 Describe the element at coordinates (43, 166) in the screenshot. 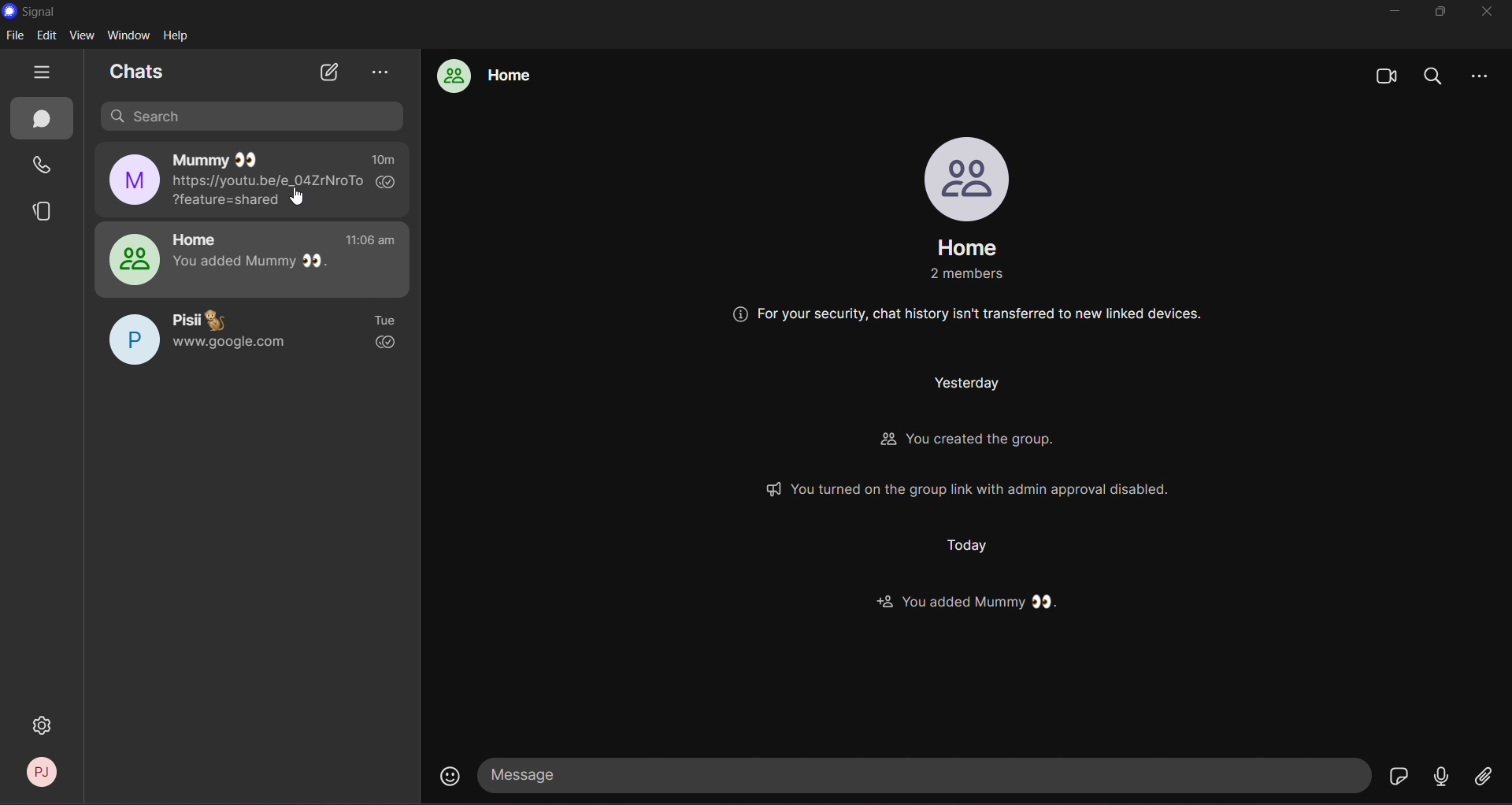

I see `calls` at that location.